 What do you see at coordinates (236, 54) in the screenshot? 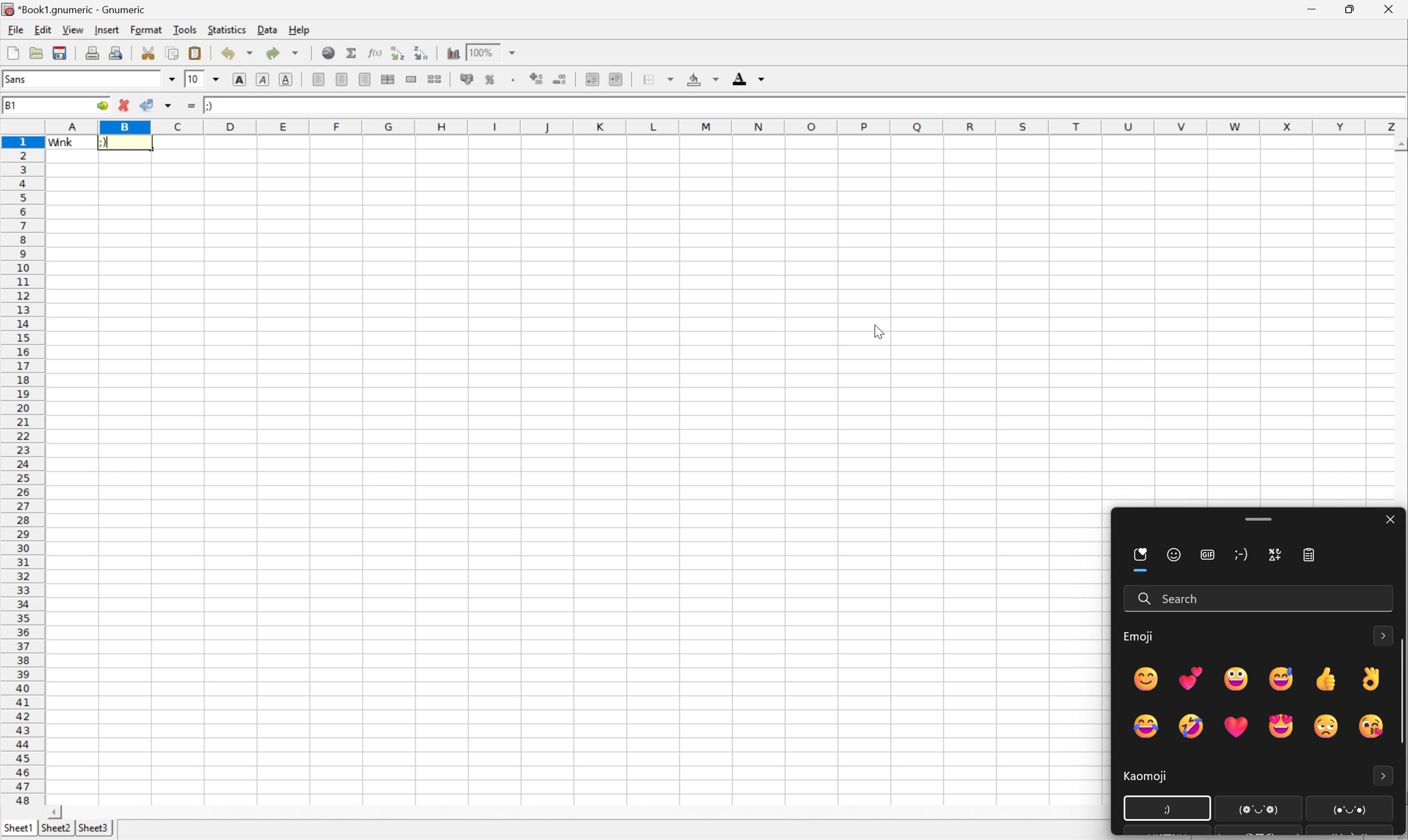
I see `undo` at bounding box center [236, 54].